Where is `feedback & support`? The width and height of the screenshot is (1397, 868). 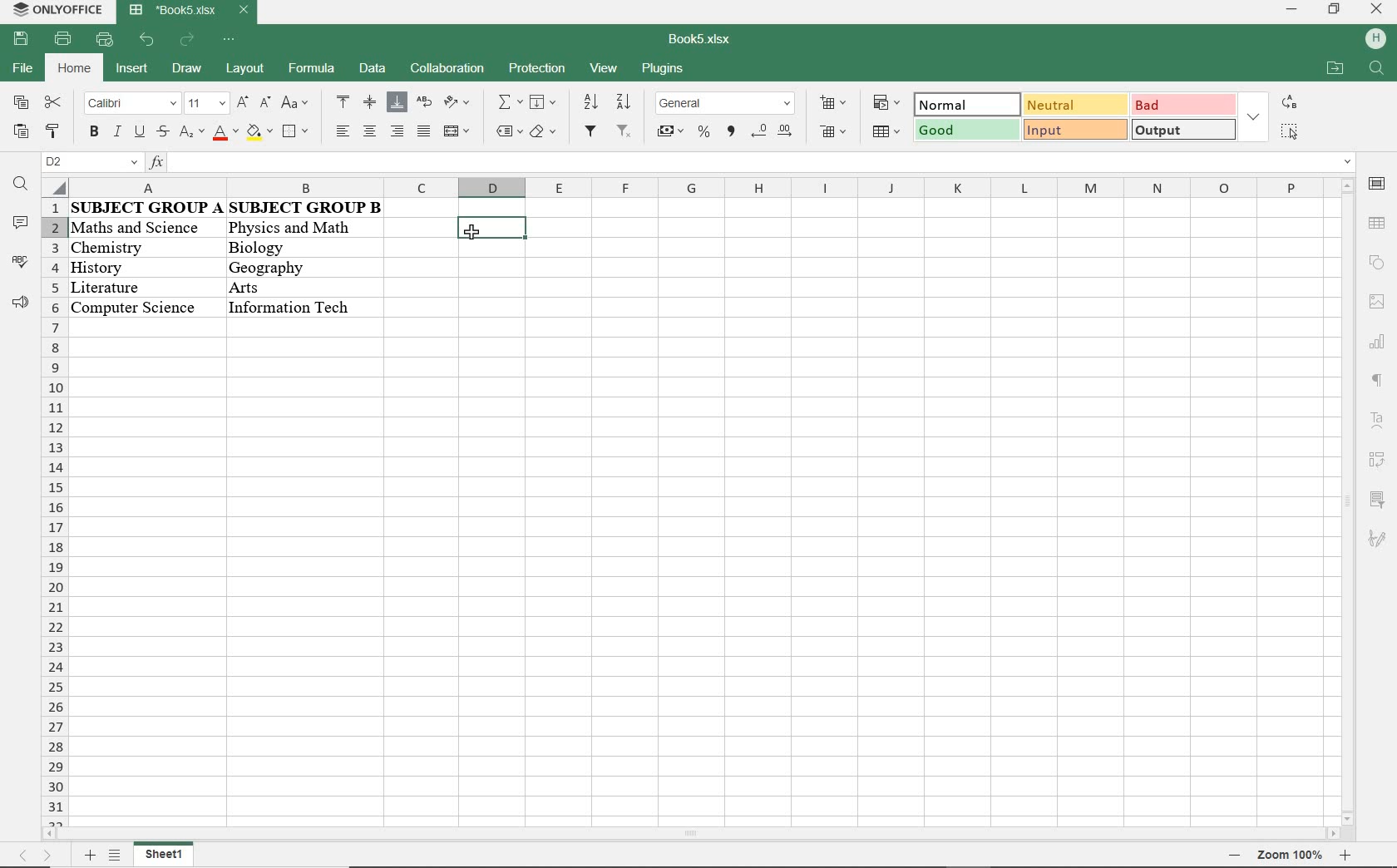 feedback & support is located at coordinates (21, 303).